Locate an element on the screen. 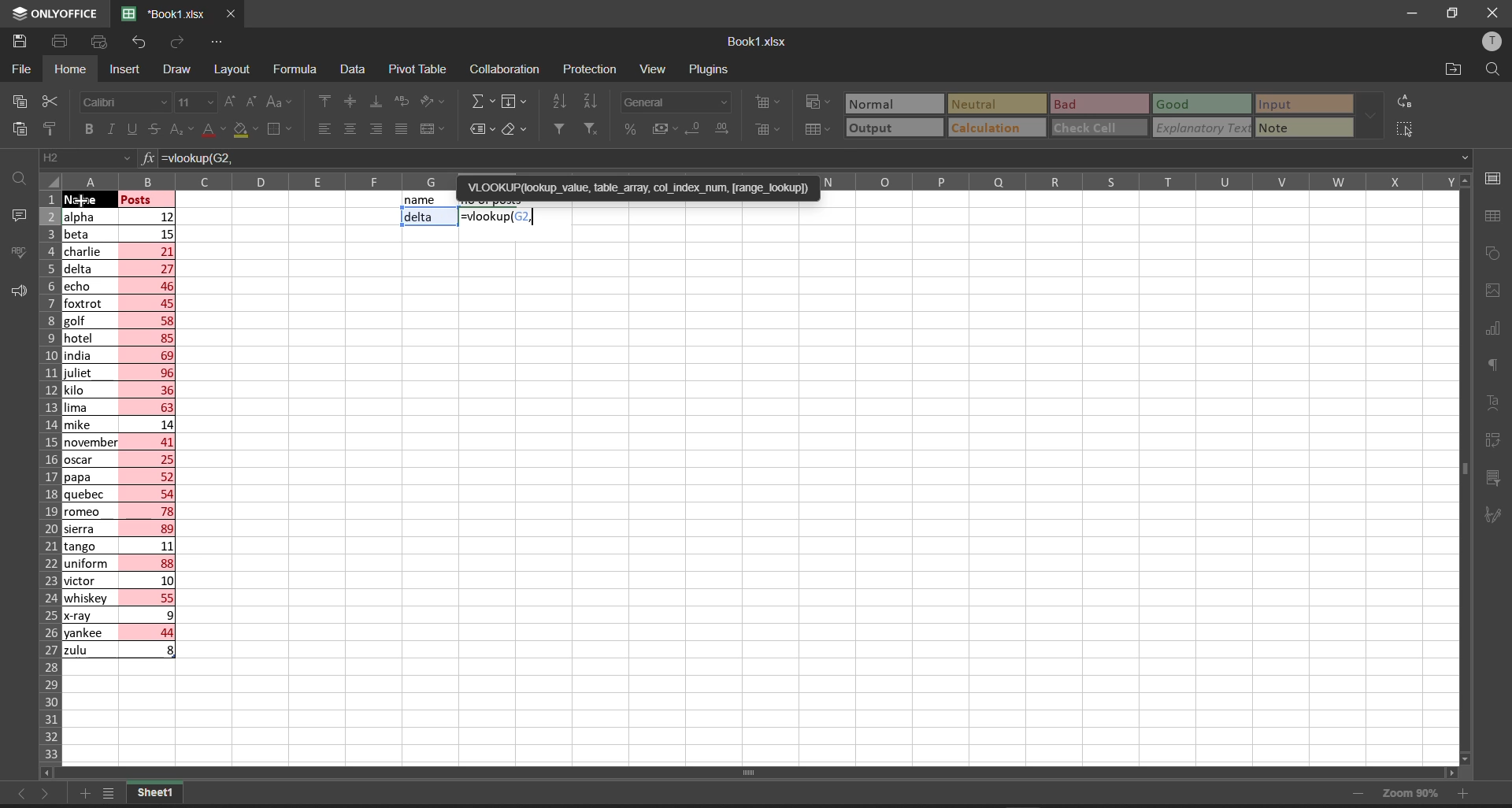 This screenshot has height=808, width=1512. print is located at coordinates (61, 43).